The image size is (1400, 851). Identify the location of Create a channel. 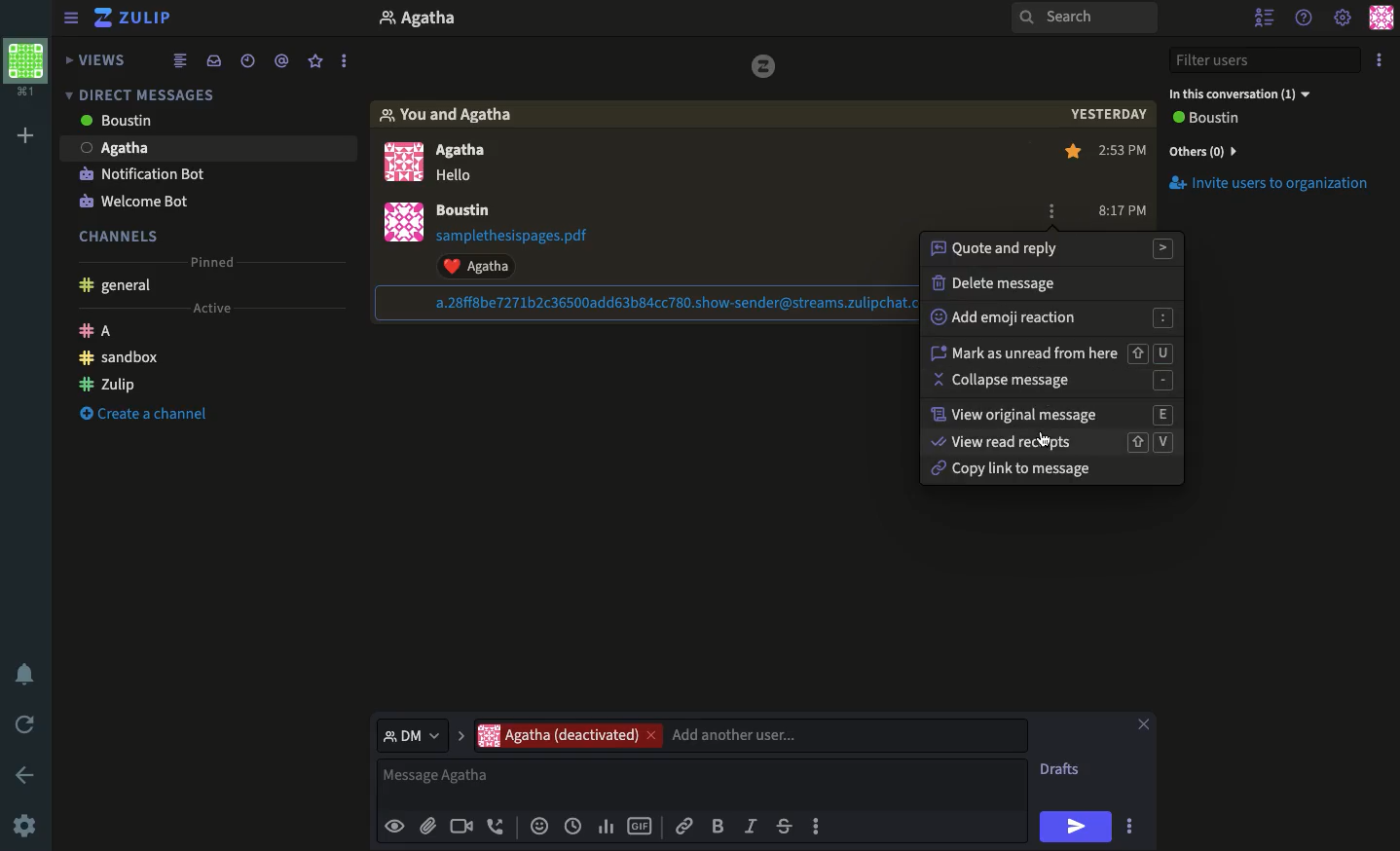
(139, 416).